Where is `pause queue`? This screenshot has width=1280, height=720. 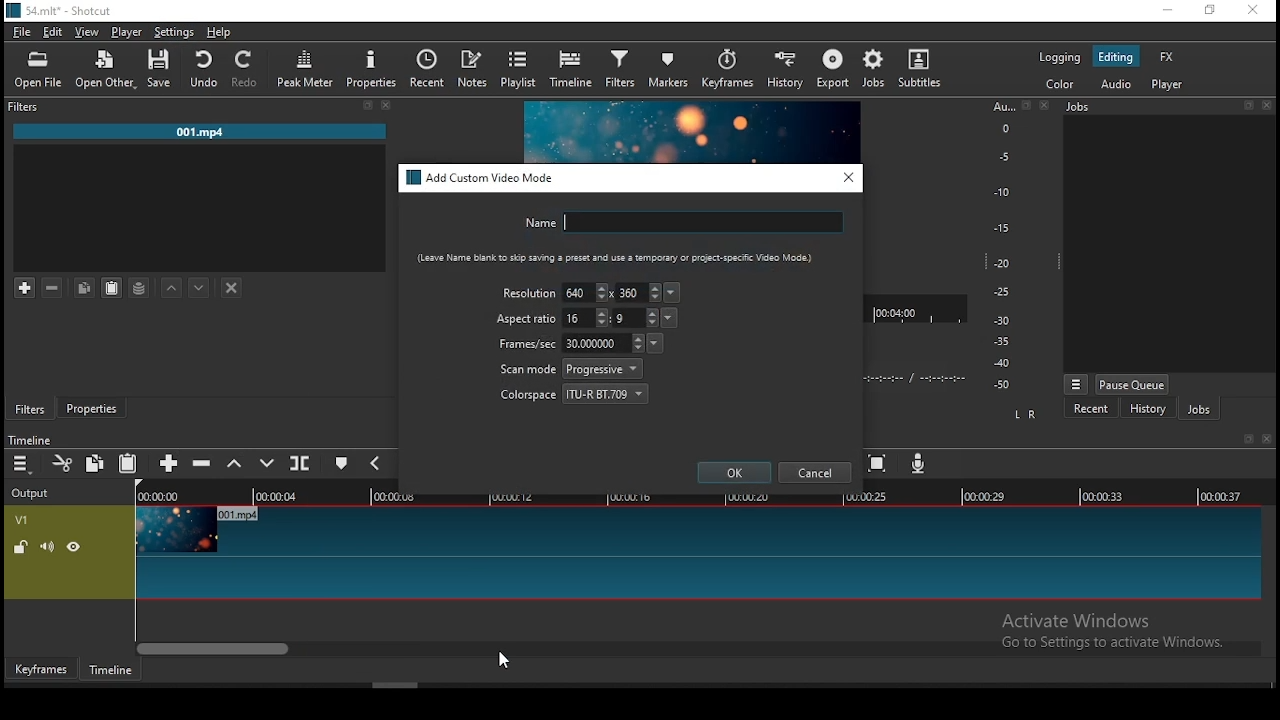 pause queue is located at coordinates (1132, 384).